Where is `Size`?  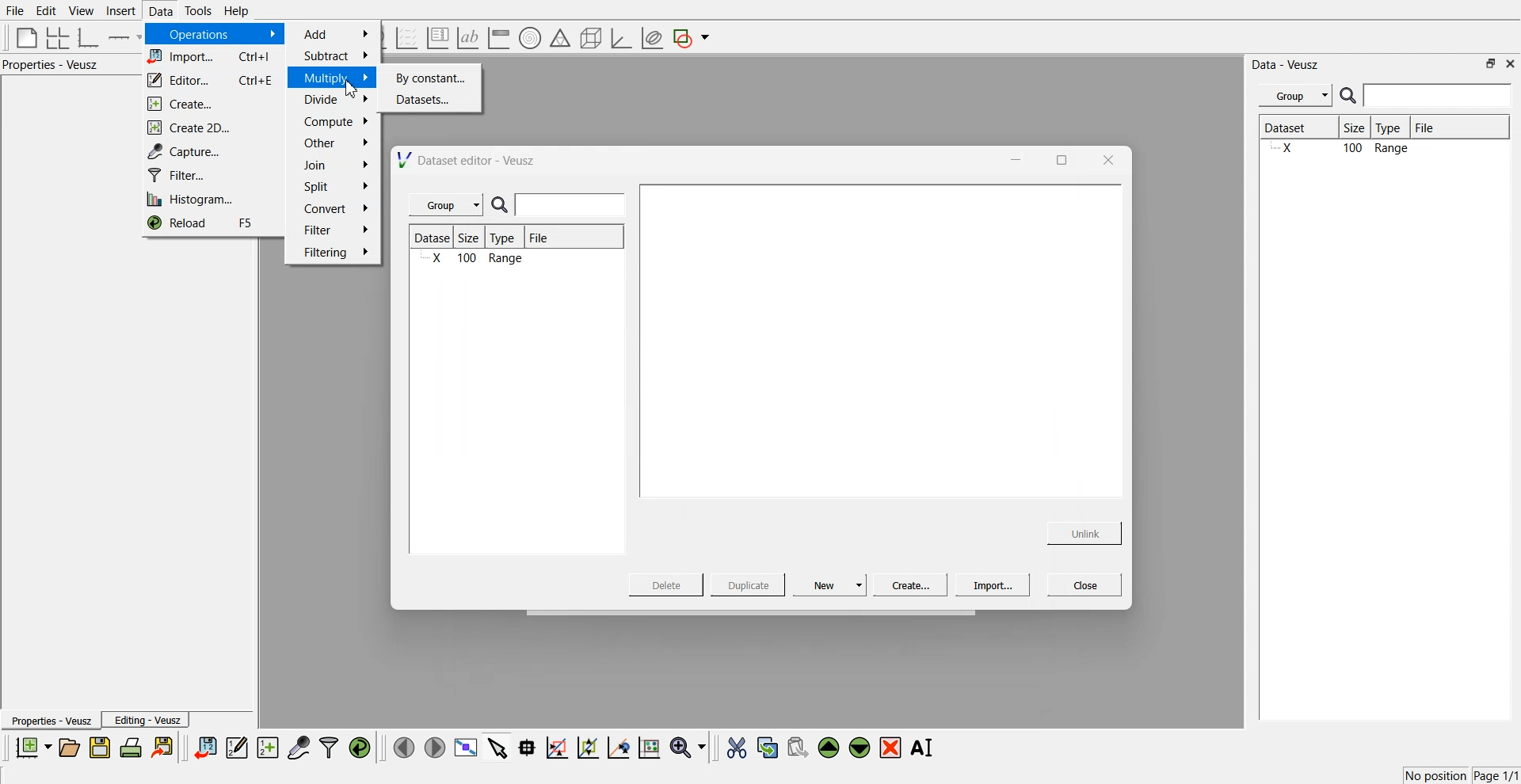 Size is located at coordinates (1359, 129).